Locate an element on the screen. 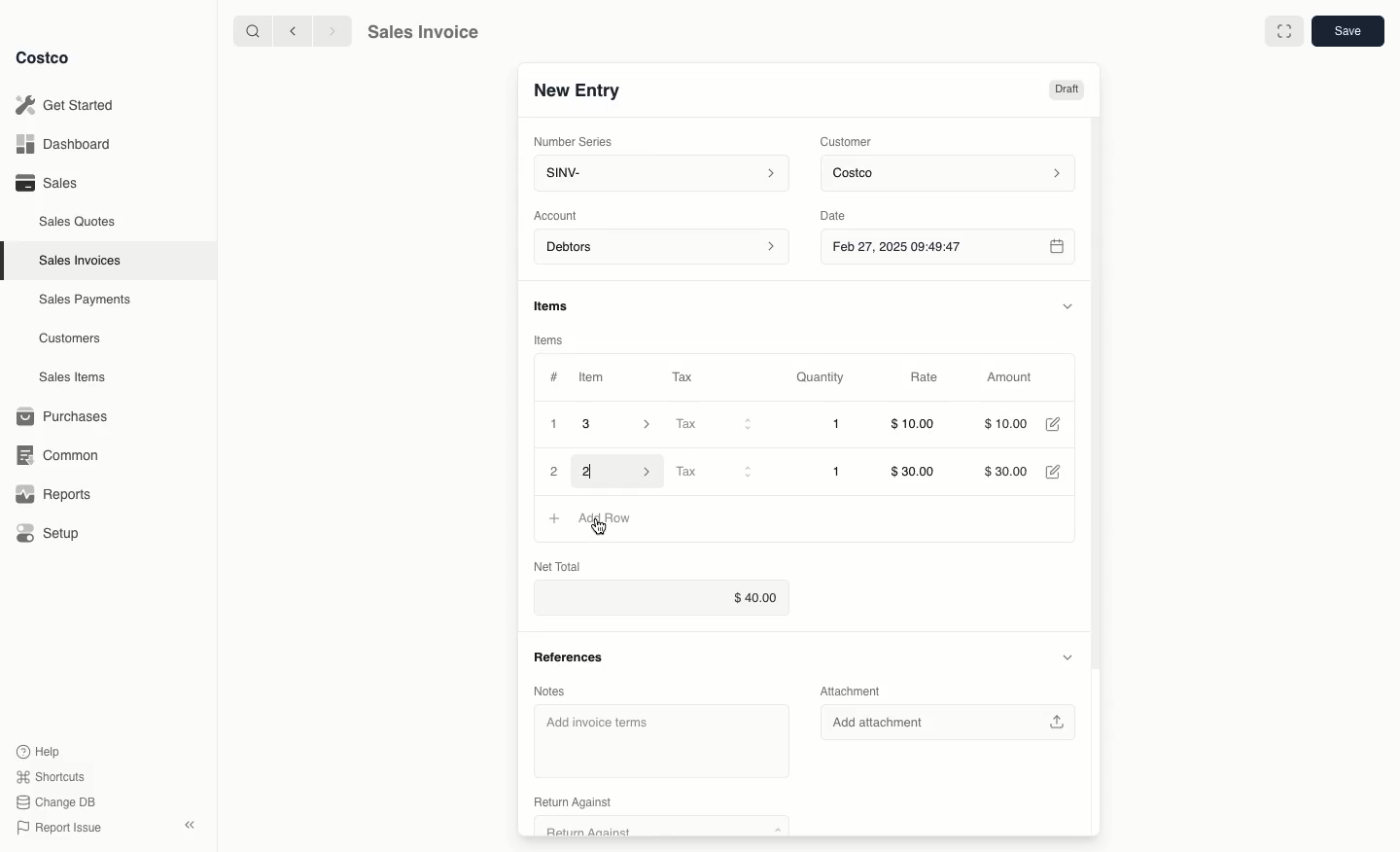 The width and height of the screenshot is (1400, 852). Sales Quotes is located at coordinates (79, 221).